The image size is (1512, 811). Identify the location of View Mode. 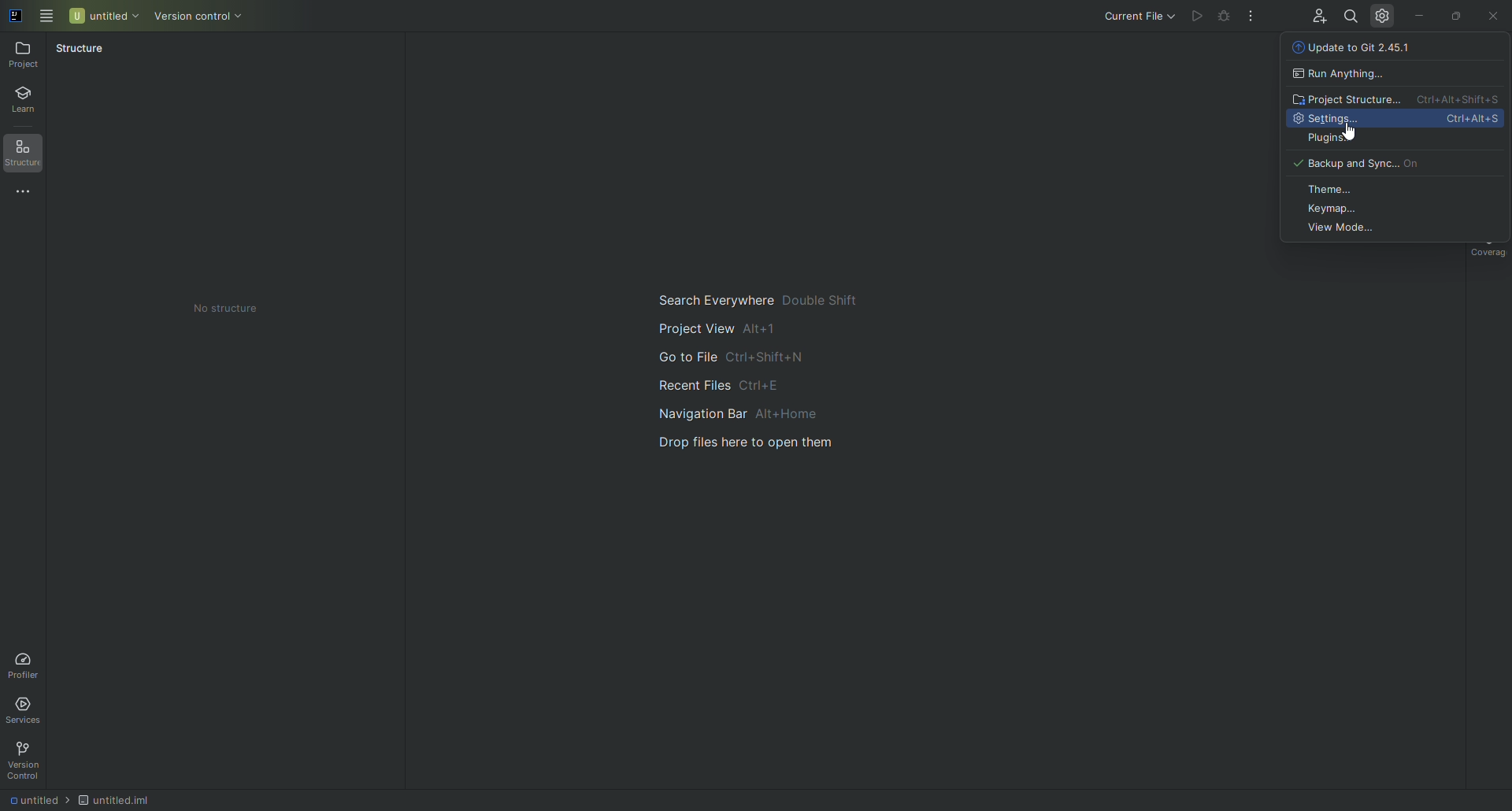
(1334, 228).